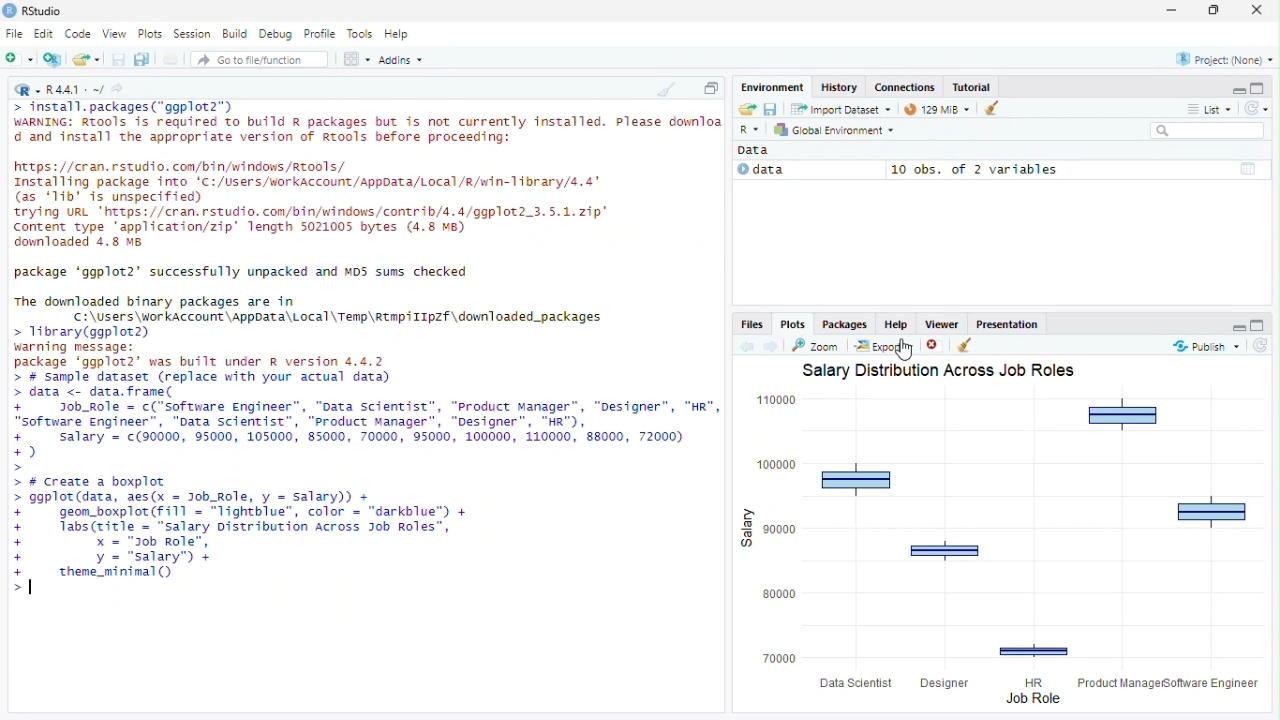  Describe the element at coordinates (144, 59) in the screenshot. I see `Save all open documents` at that location.